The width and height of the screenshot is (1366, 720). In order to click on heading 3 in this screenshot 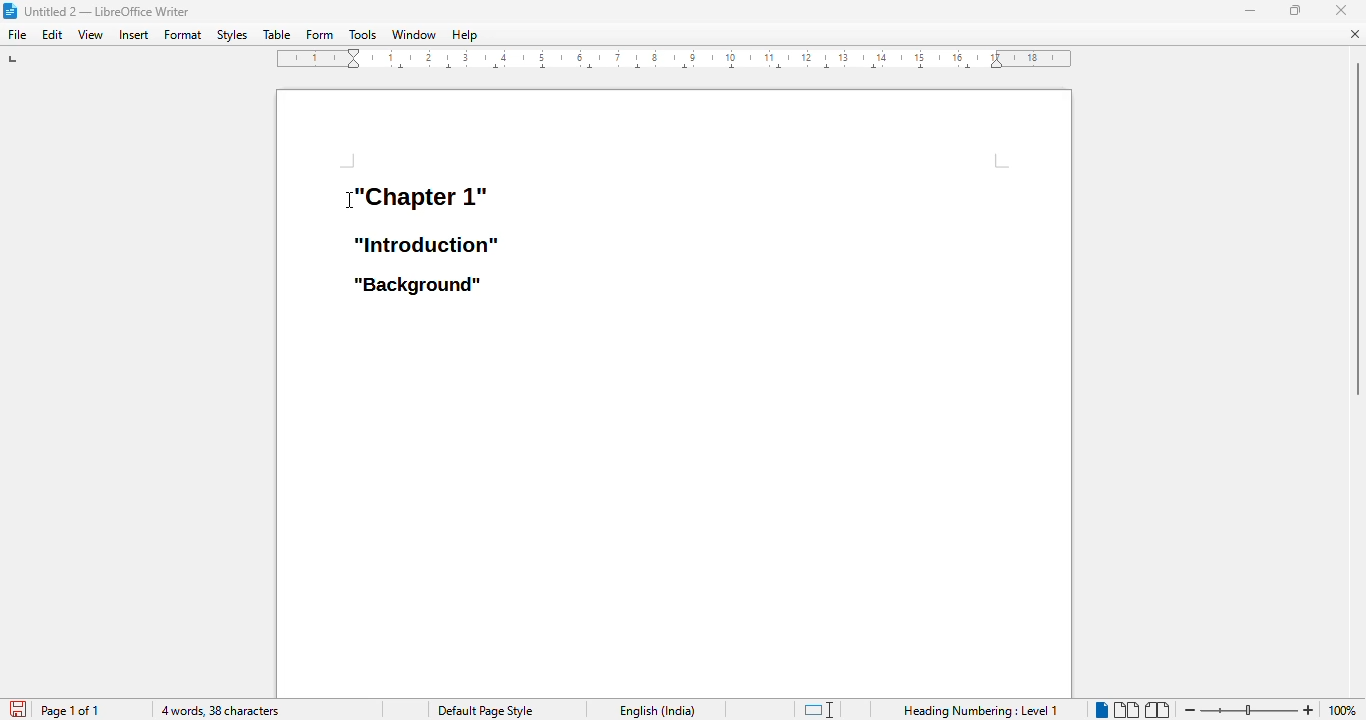, I will do `click(417, 286)`.